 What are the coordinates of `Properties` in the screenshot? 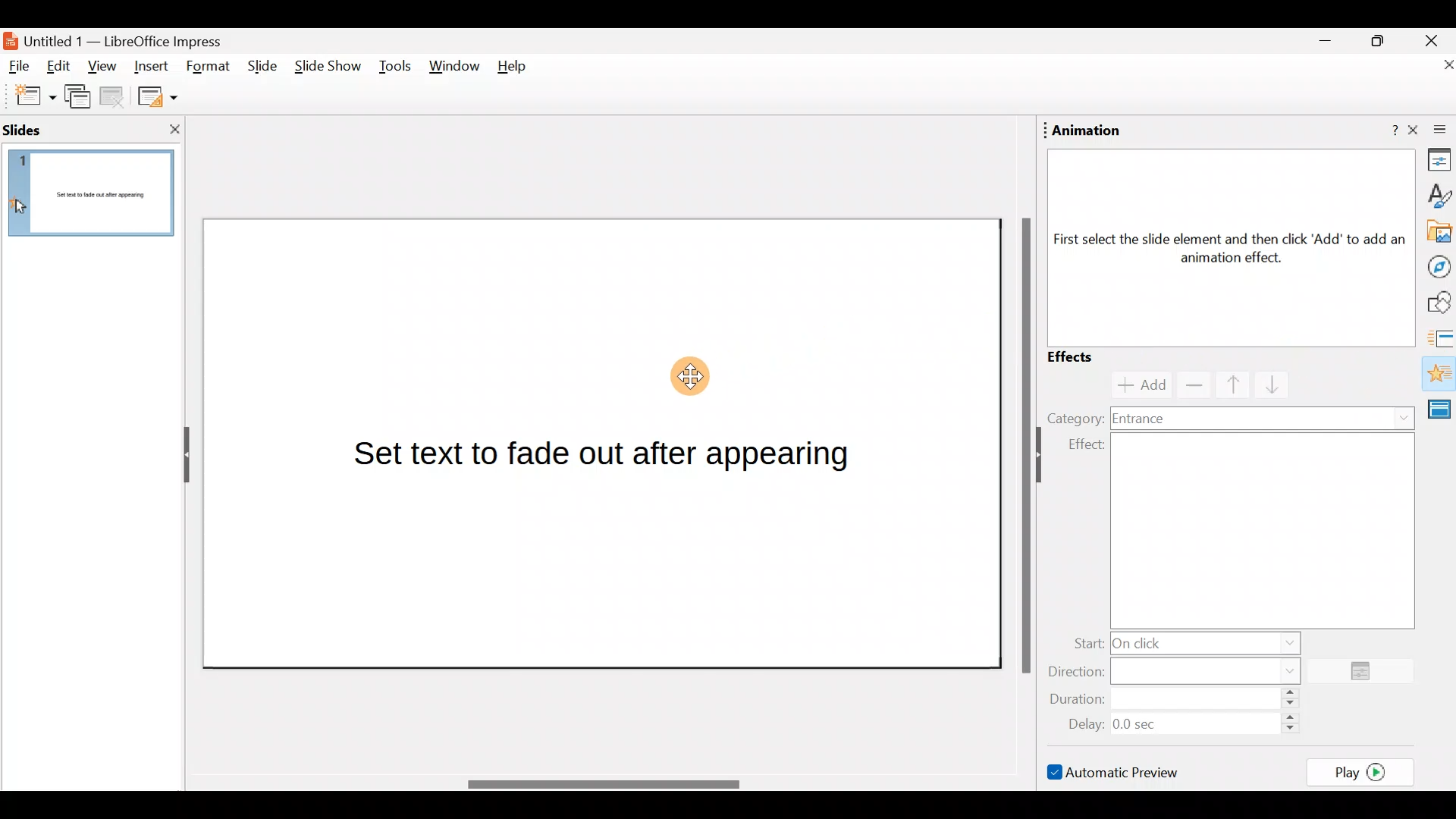 It's located at (1435, 162).